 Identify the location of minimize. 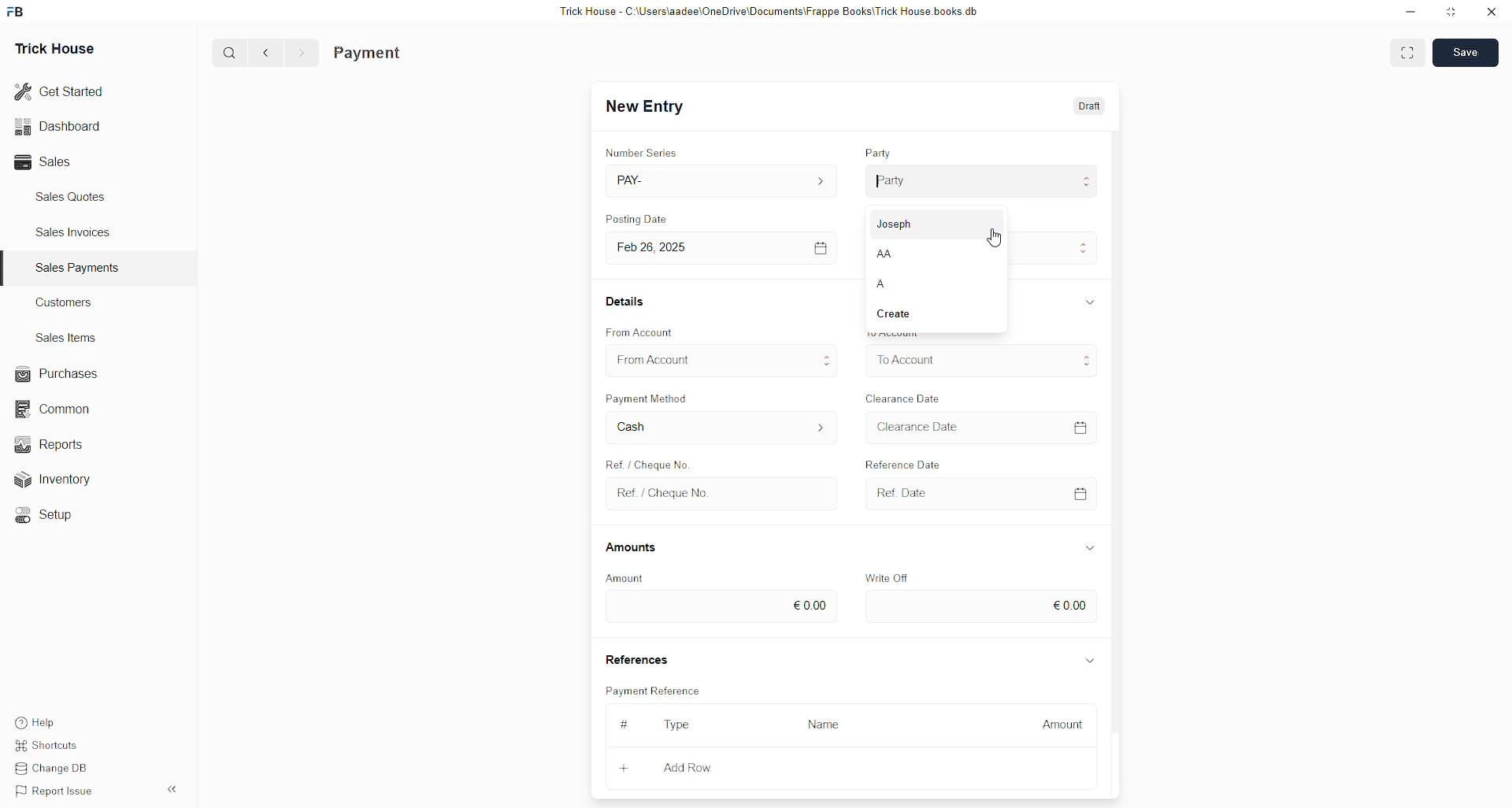
(1411, 13).